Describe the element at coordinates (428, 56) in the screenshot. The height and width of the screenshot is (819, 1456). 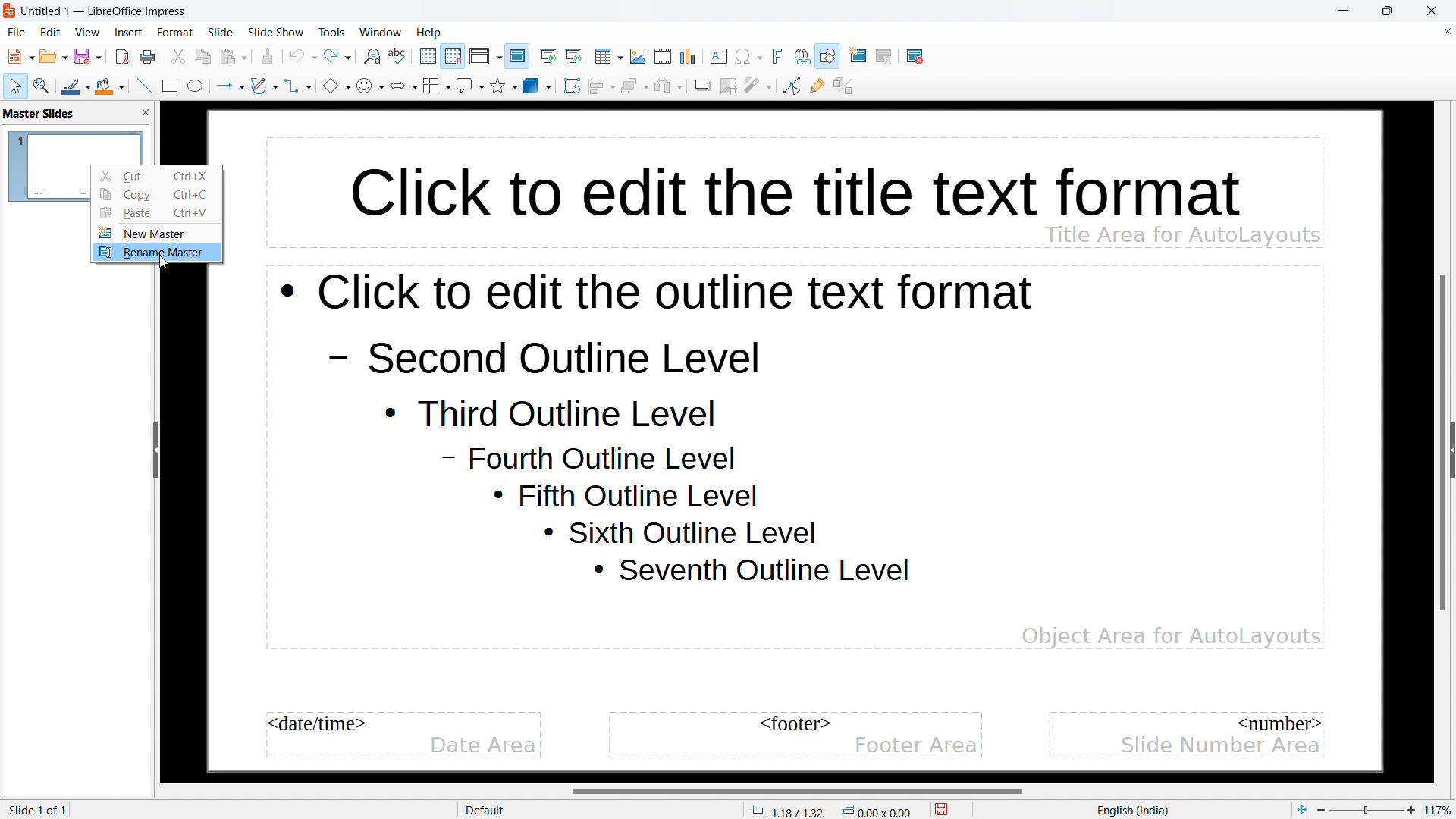
I see `display grid` at that location.